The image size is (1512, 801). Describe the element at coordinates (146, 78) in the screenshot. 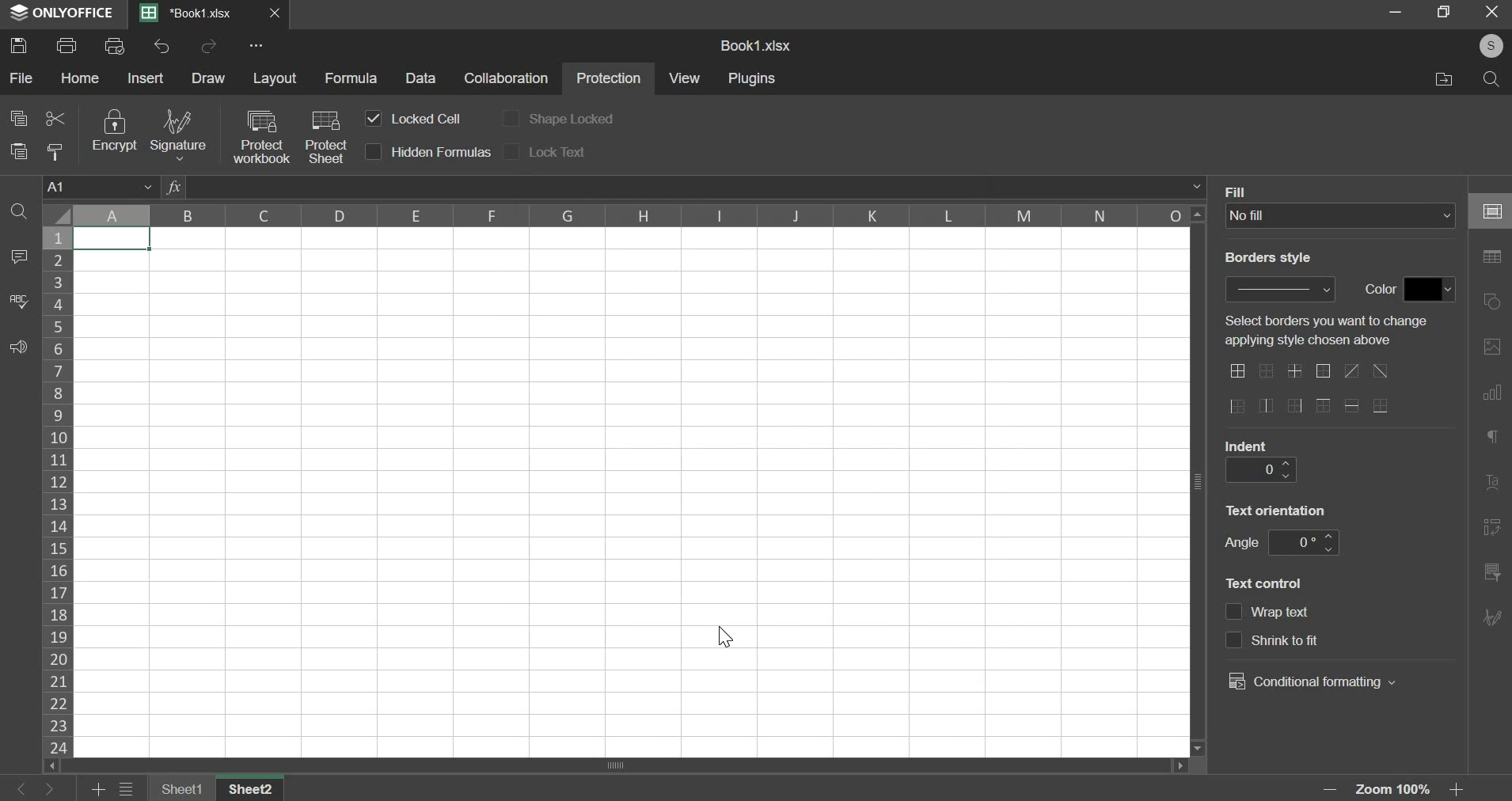

I see `insert` at that location.